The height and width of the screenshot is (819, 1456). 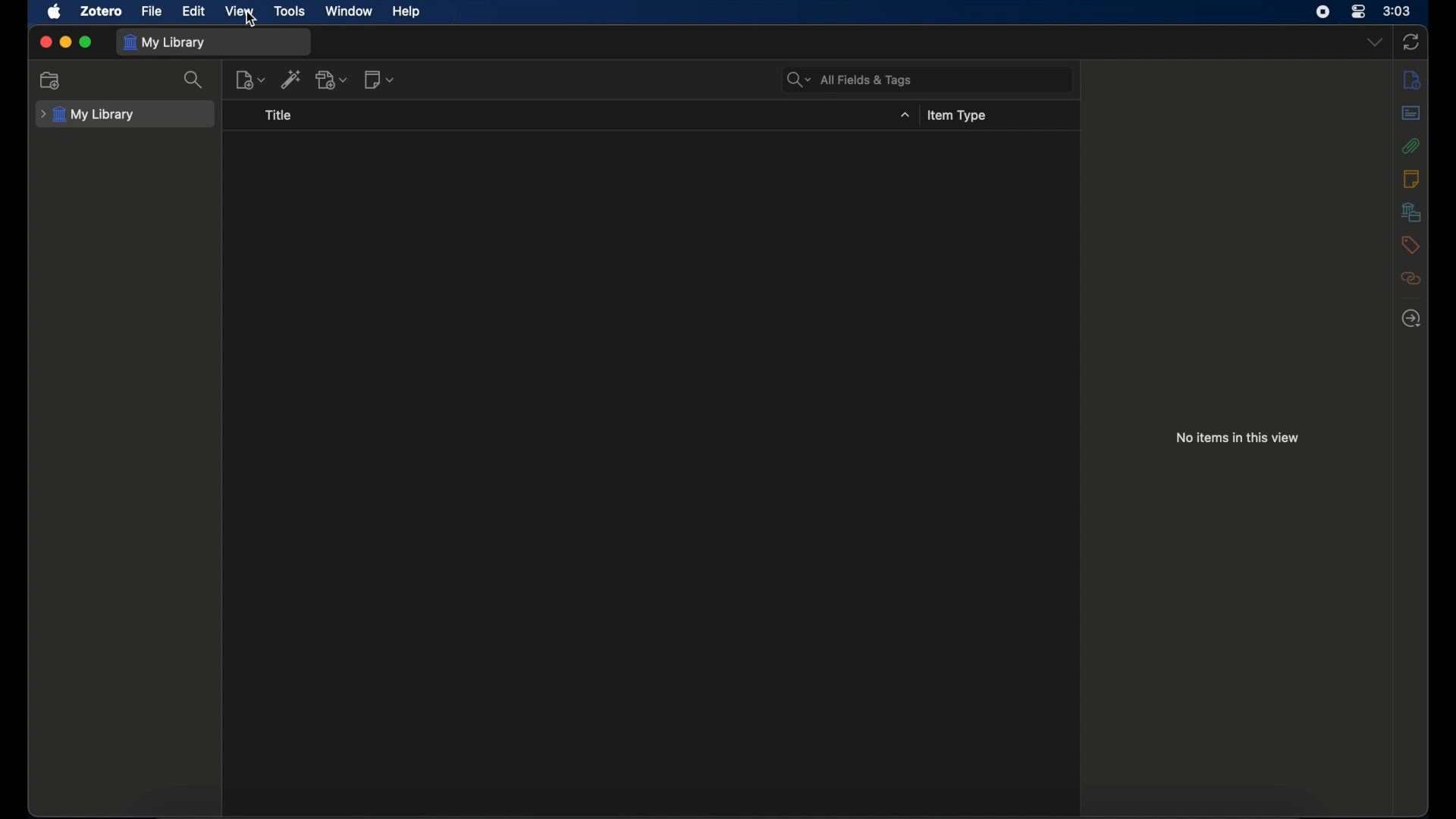 What do you see at coordinates (849, 80) in the screenshot?
I see `all fields & tags` at bounding box center [849, 80].